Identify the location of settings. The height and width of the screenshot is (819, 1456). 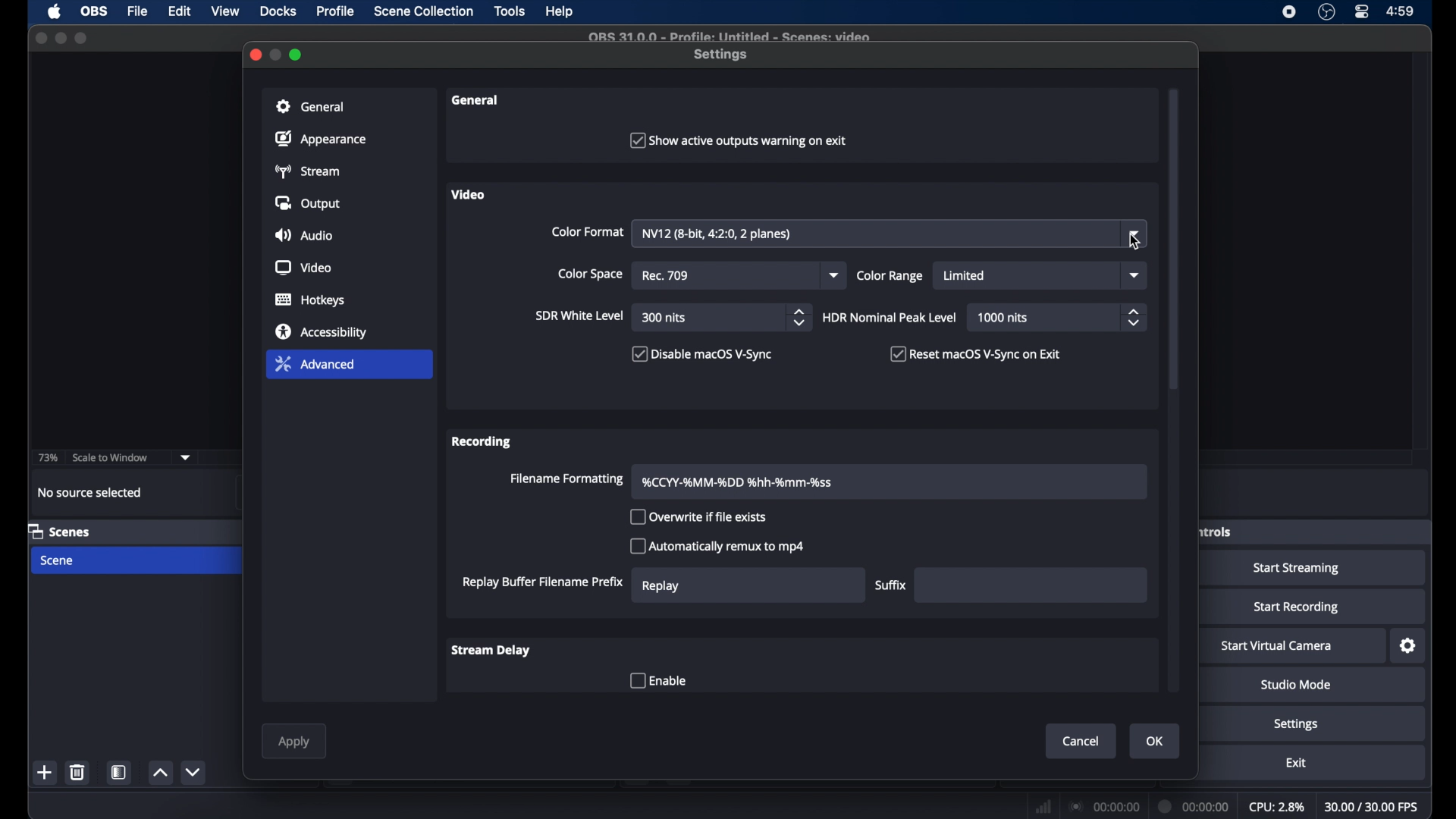
(722, 55).